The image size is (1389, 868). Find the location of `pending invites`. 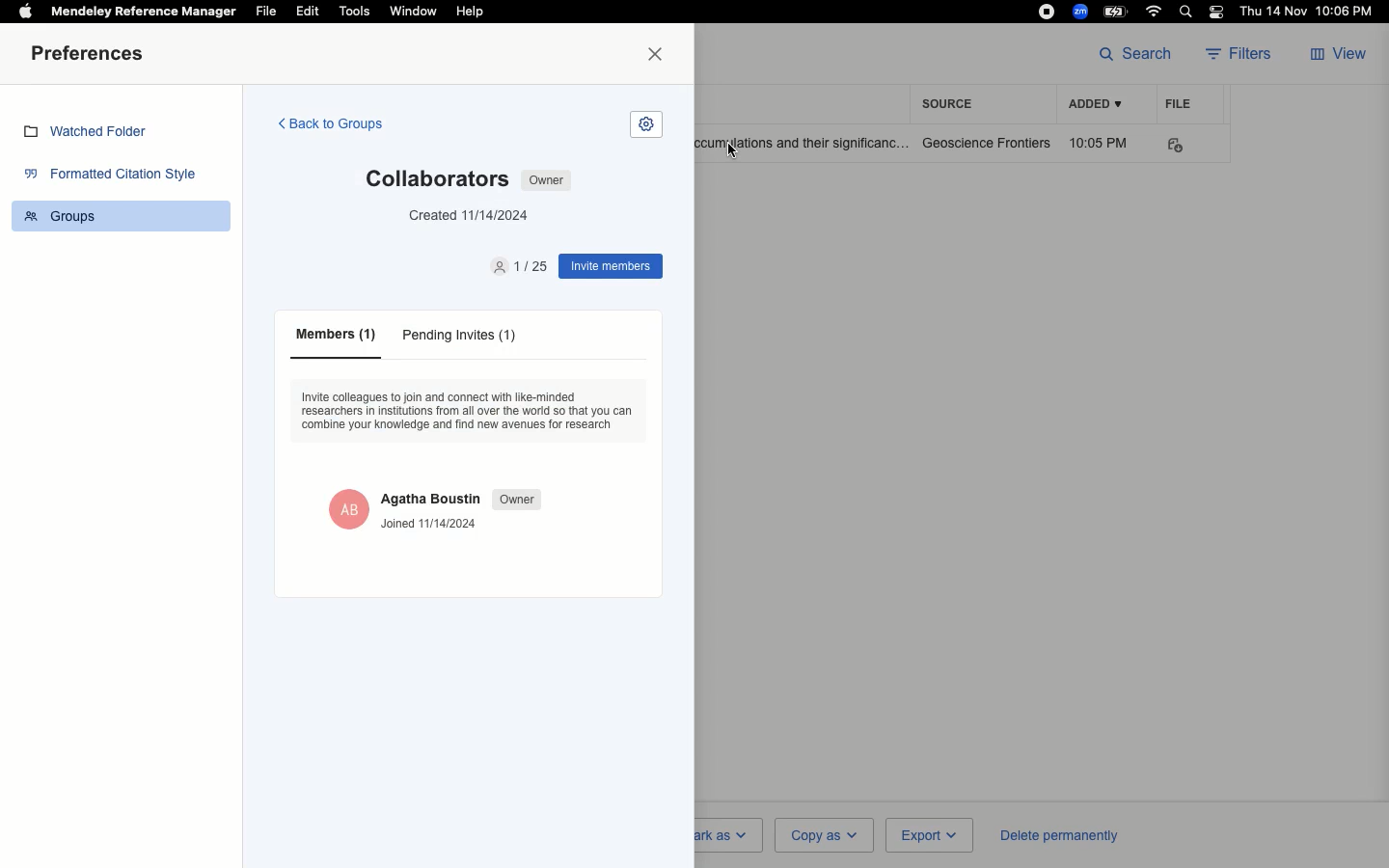

pending invites is located at coordinates (472, 334).